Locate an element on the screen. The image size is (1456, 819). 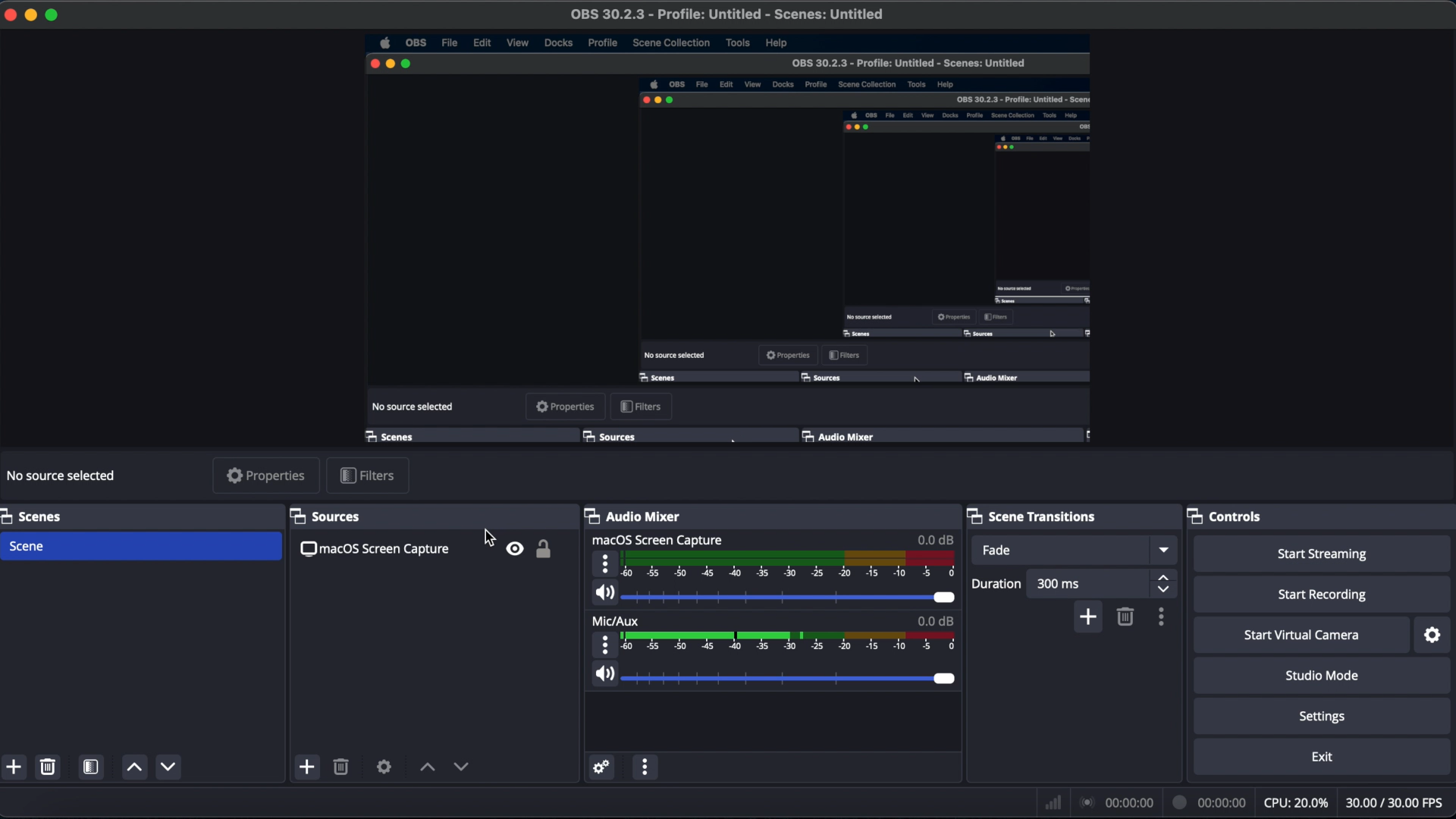
volume properties is located at coordinates (606, 563).